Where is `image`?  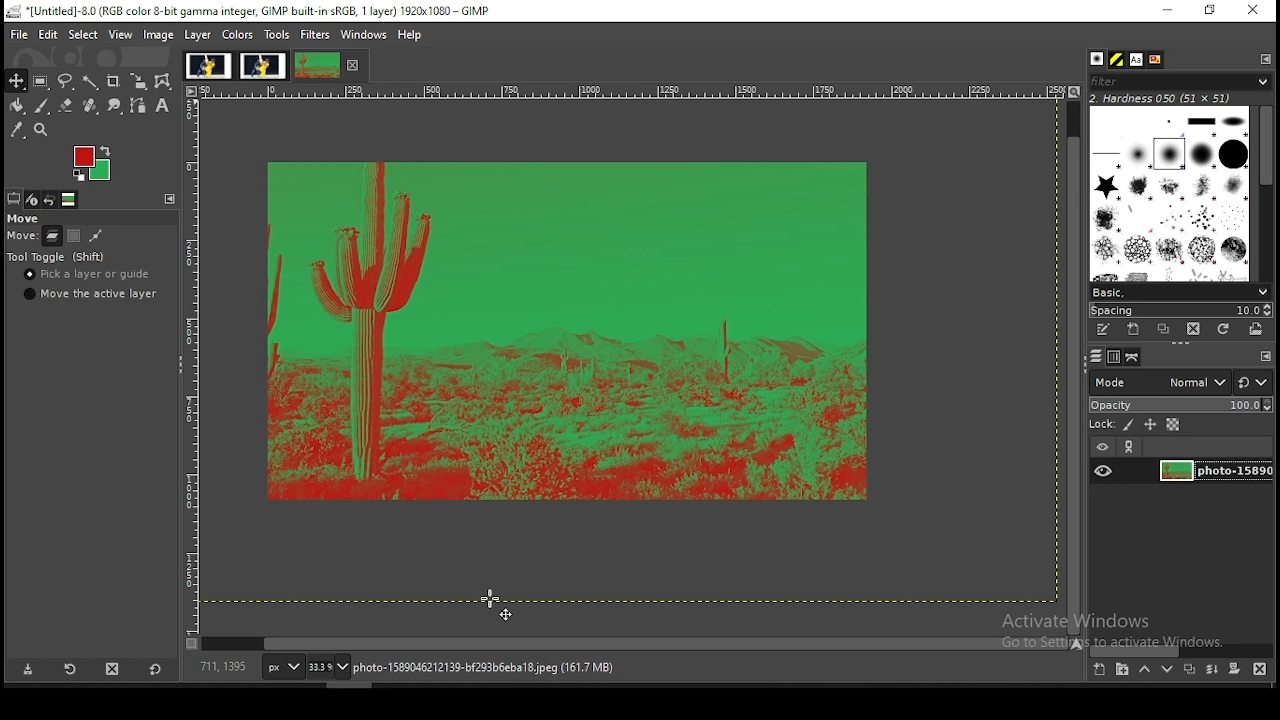 image is located at coordinates (317, 65).